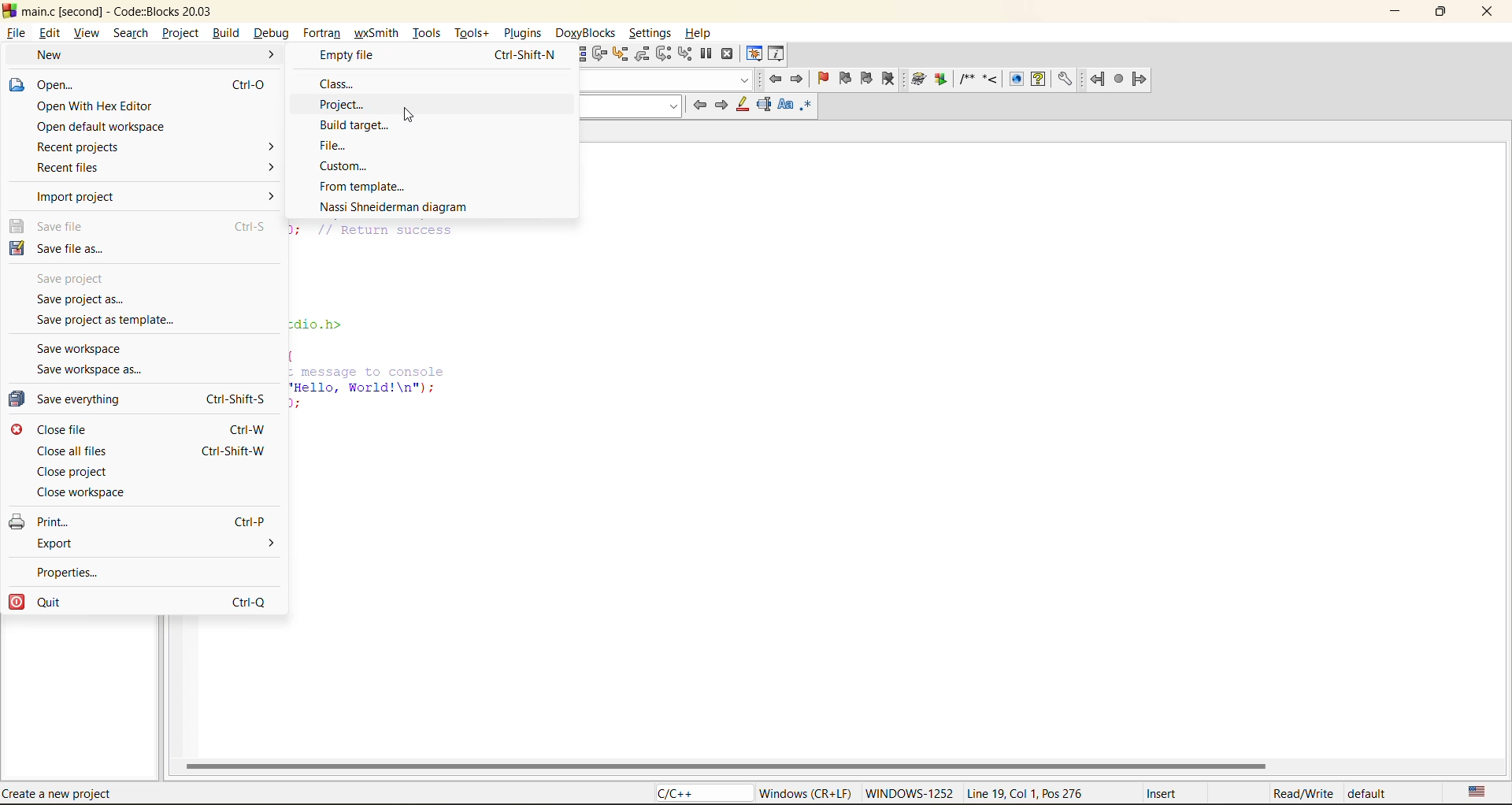 The width and height of the screenshot is (1512, 805). Describe the element at coordinates (57, 544) in the screenshot. I see `export` at that location.